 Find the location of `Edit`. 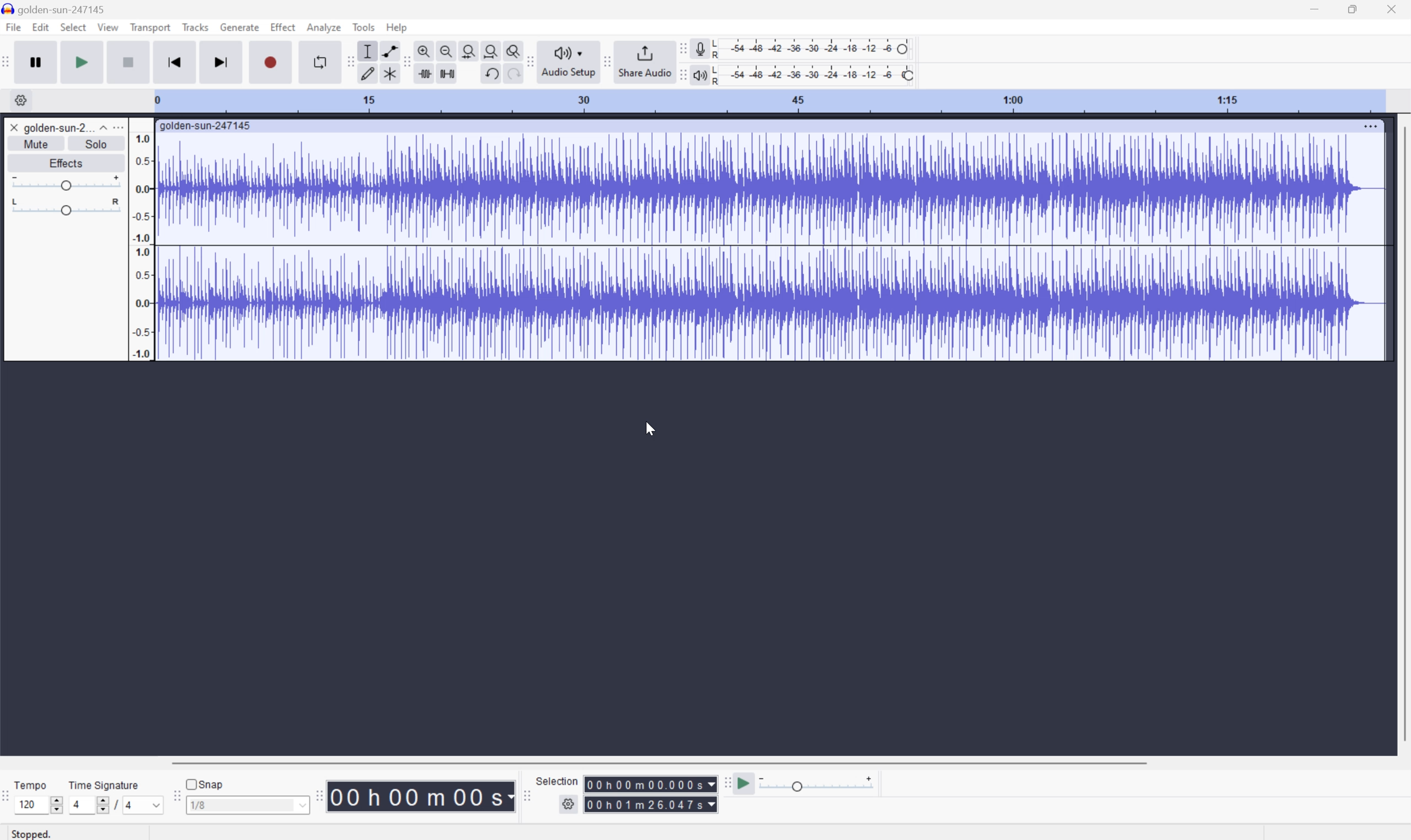

Edit is located at coordinates (41, 27).